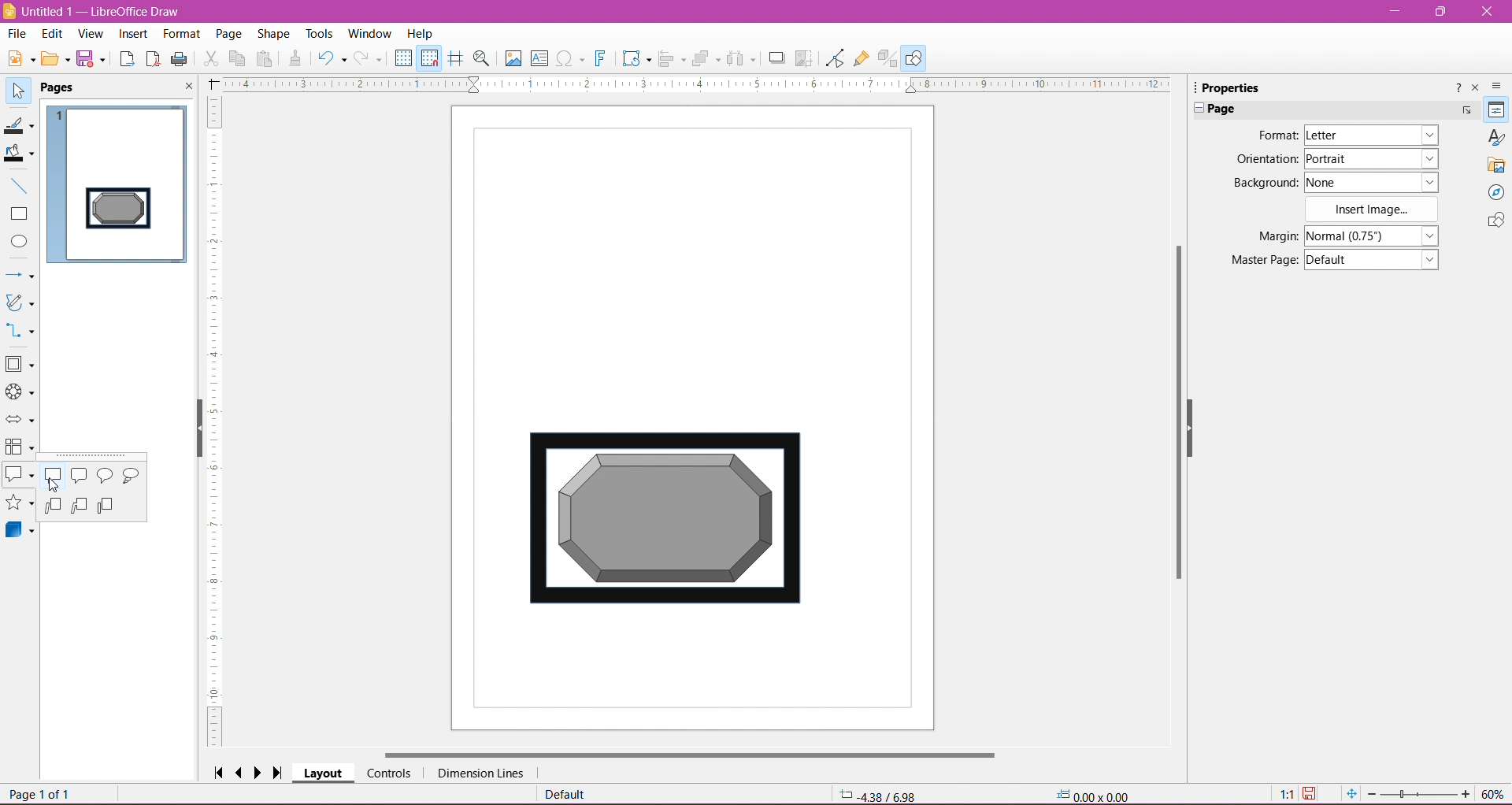 Image resolution: width=1512 pixels, height=805 pixels. I want to click on Format, so click(1275, 135).